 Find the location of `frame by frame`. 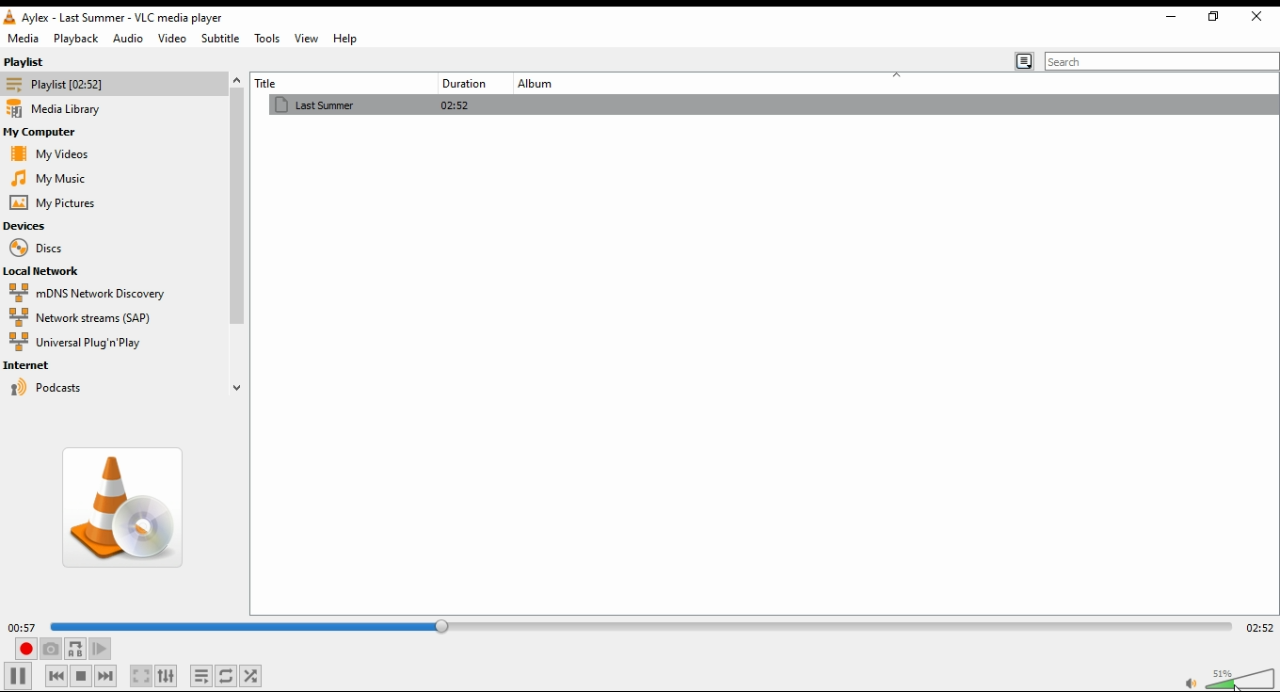

frame by frame is located at coordinates (100, 649).